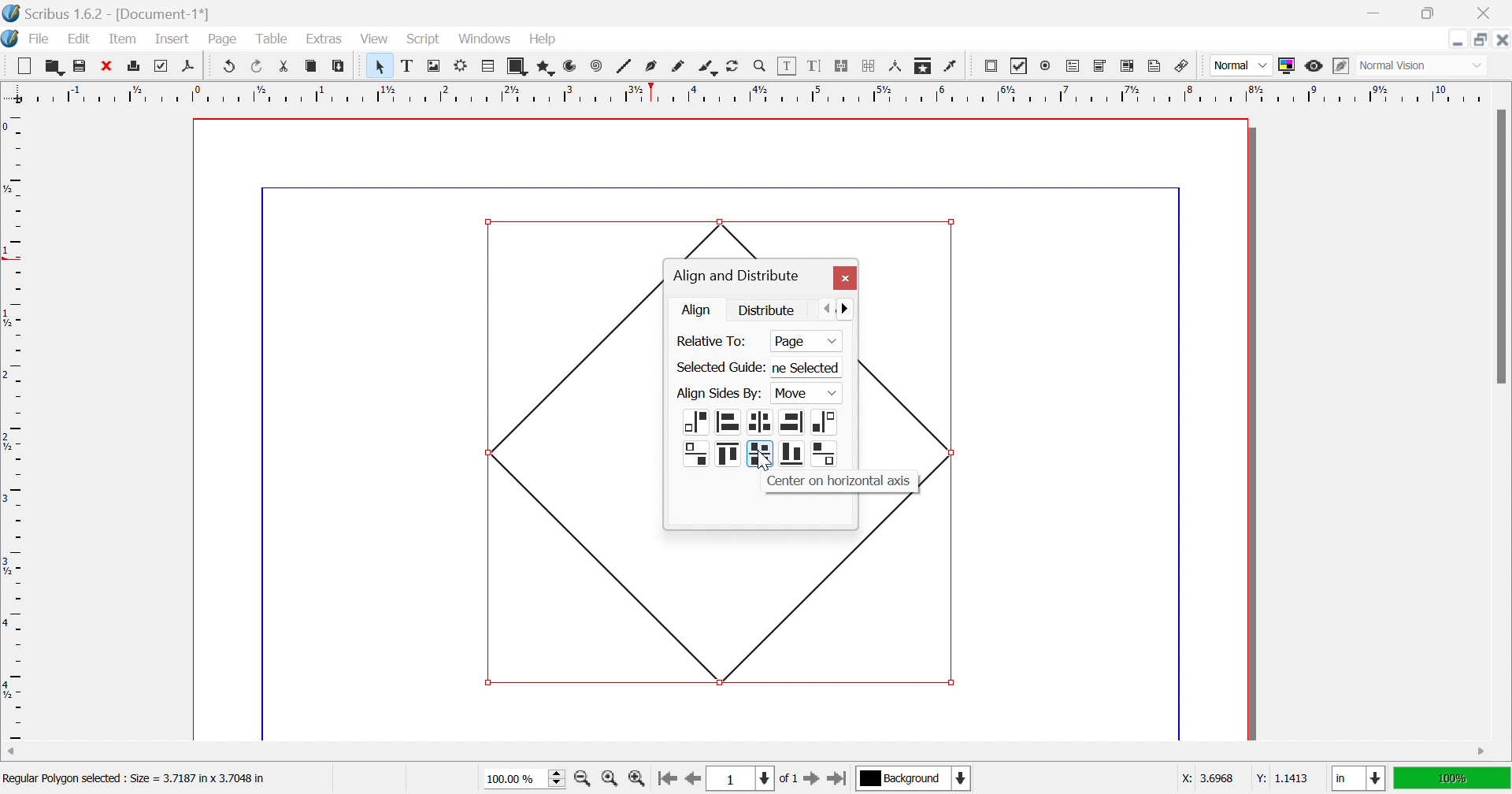  Describe the element at coordinates (1360, 780) in the screenshot. I see `in` at that location.